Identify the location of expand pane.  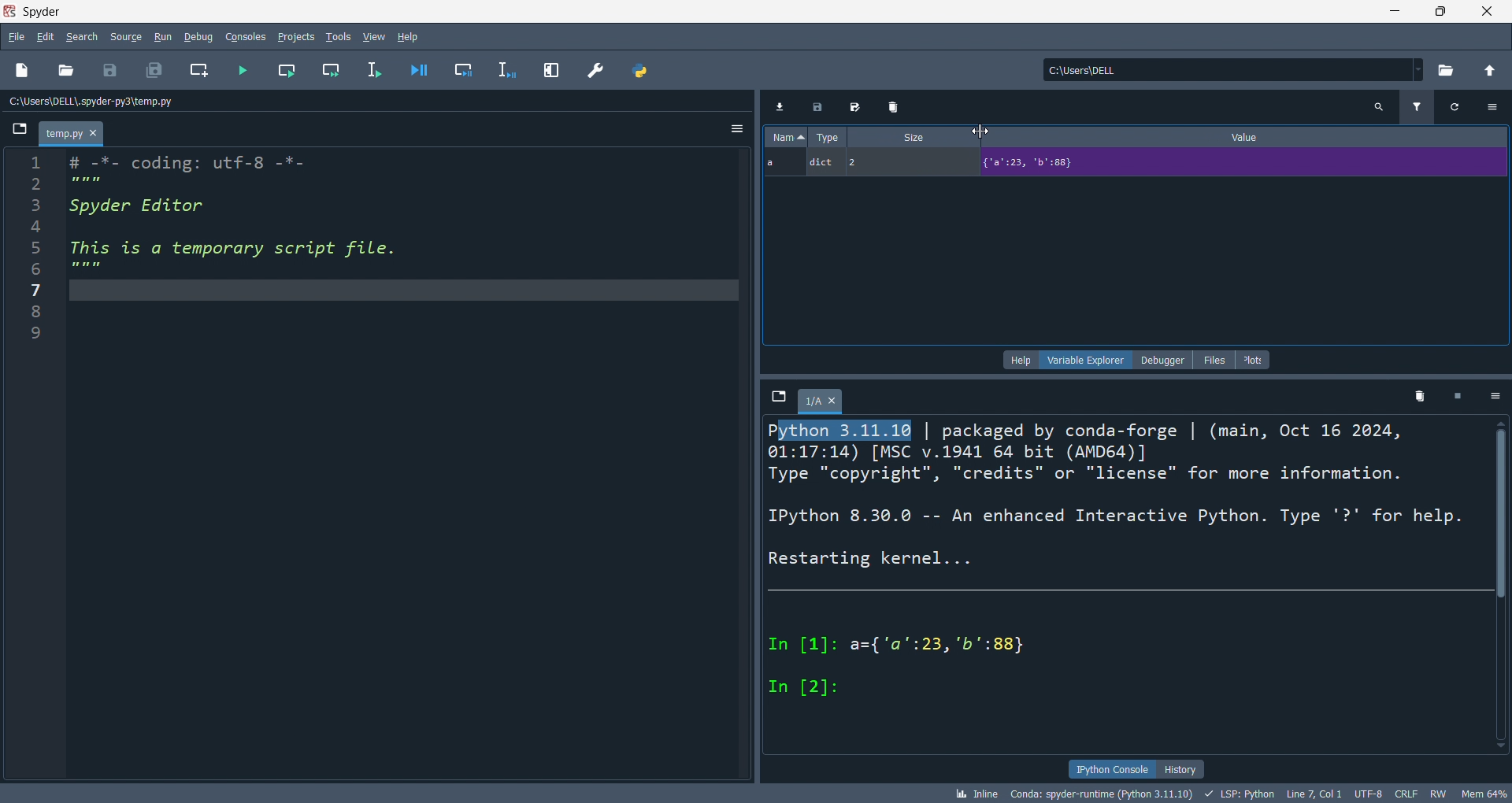
(548, 68).